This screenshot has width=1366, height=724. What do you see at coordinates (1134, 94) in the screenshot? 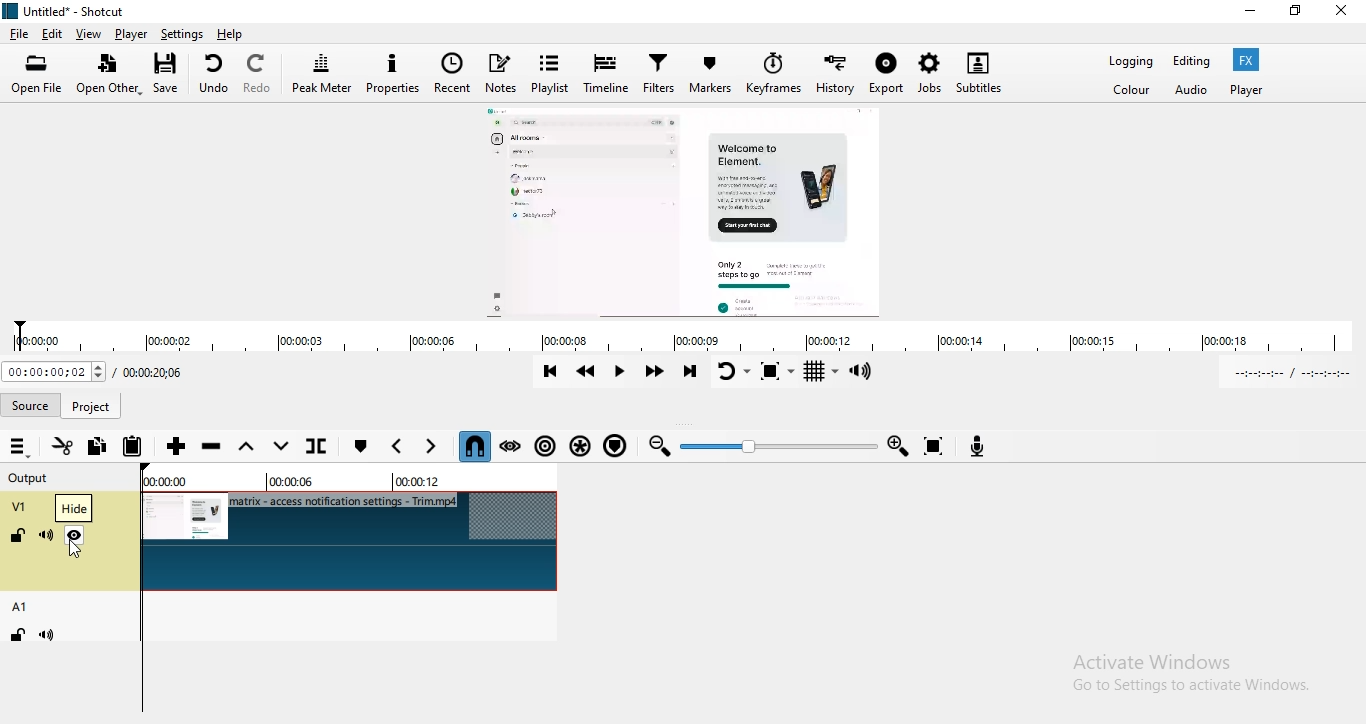
I see `Color` at bounding box center [1134, 94].